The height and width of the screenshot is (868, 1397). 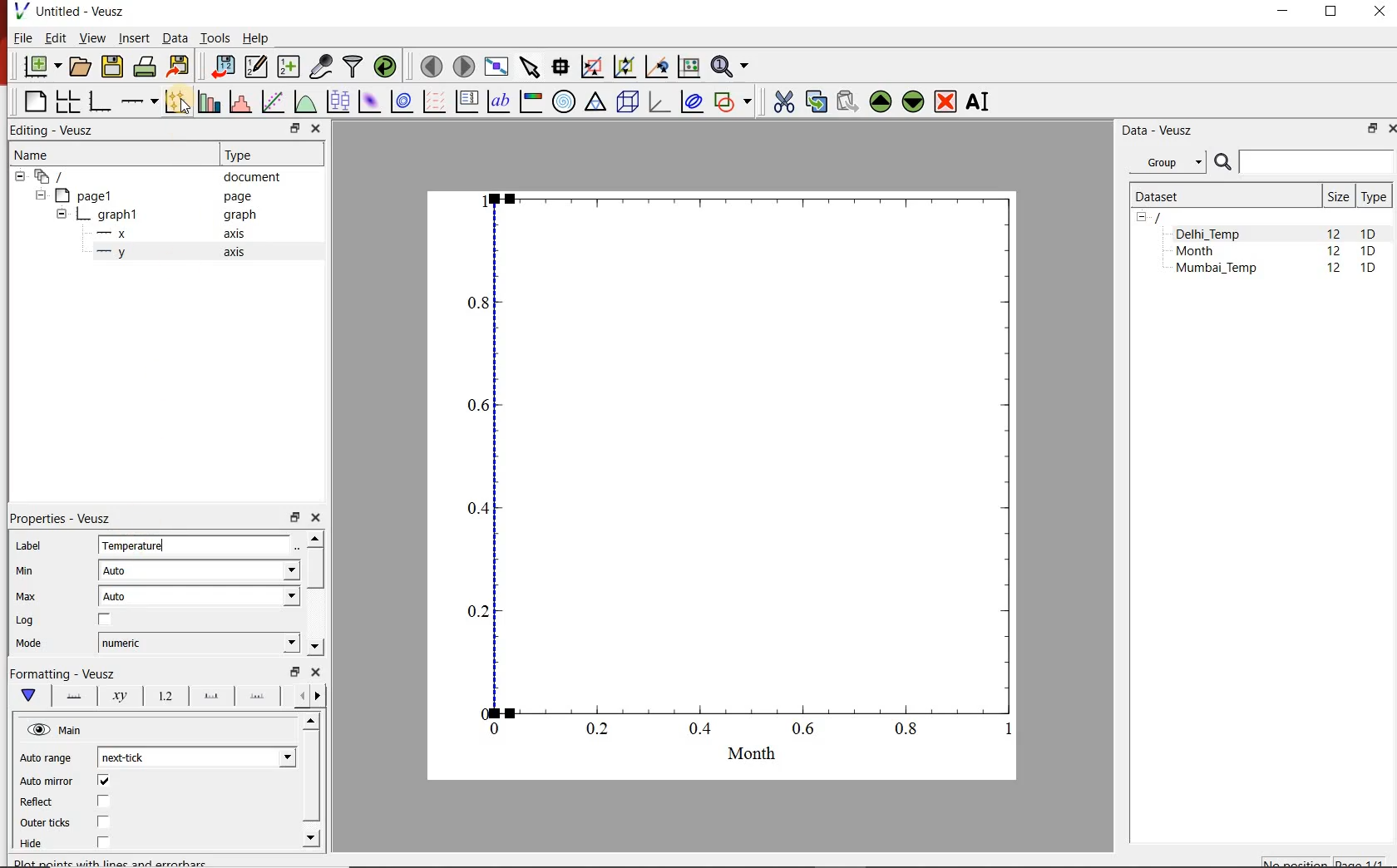 I want to click on Properties - Veusz, so click(x=57, y=519).